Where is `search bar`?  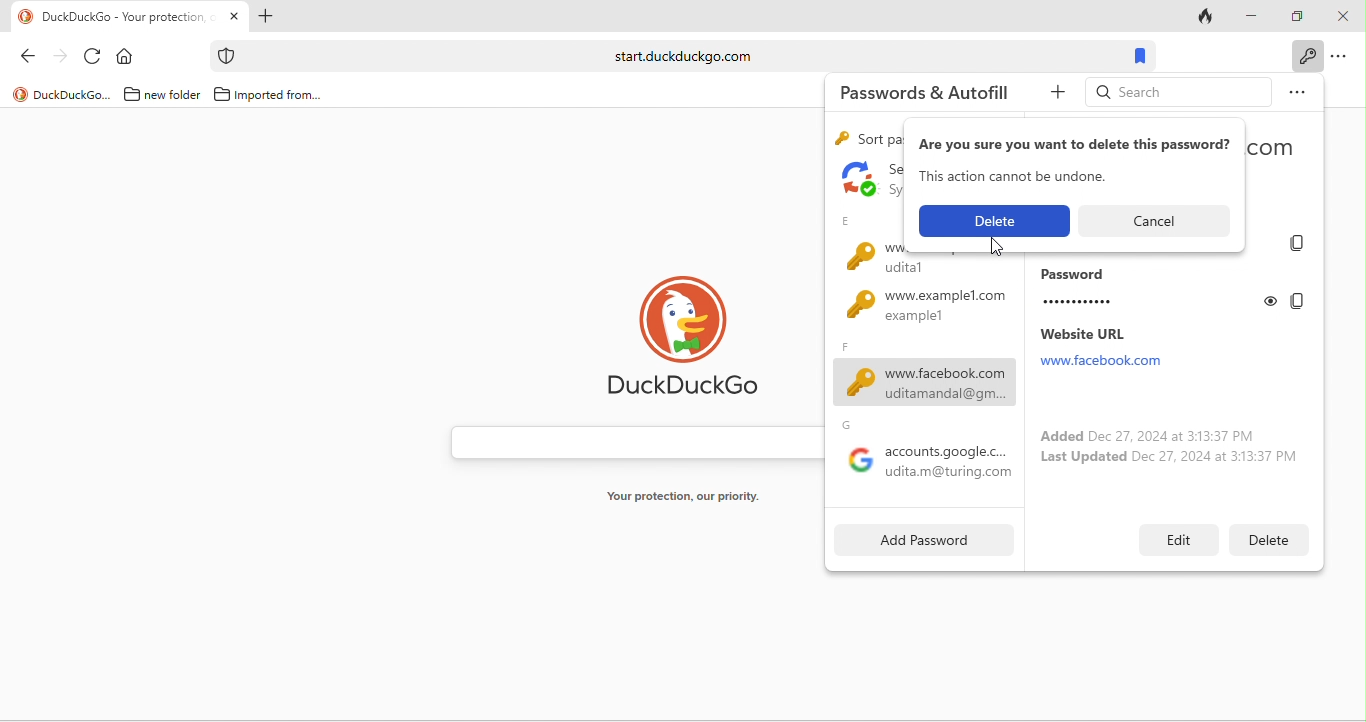
search bar is located at coordinates (631, 442).